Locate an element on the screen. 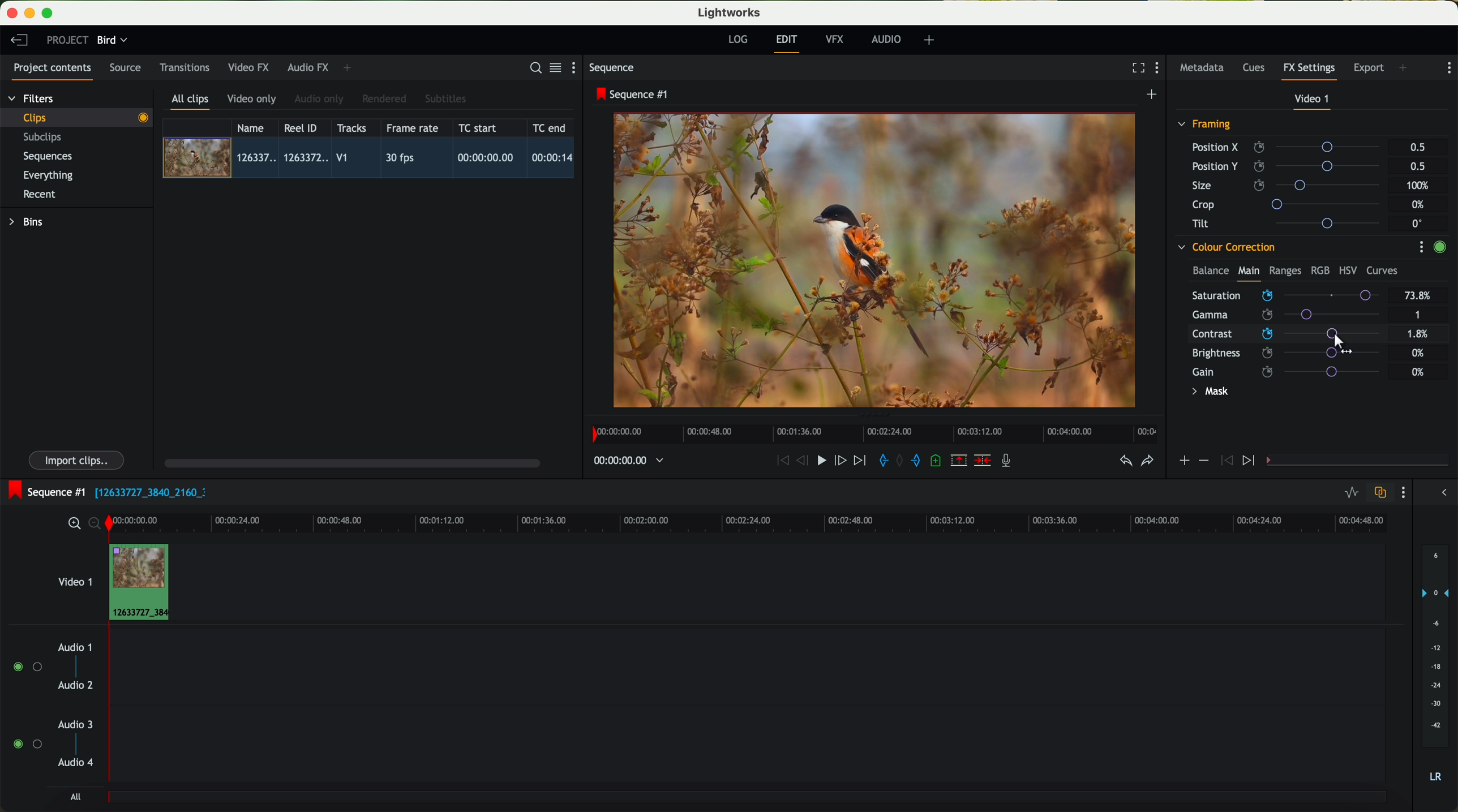 The height and width of the screenshot is (812, 1458). 0% is located at coordinates (1418, 351).